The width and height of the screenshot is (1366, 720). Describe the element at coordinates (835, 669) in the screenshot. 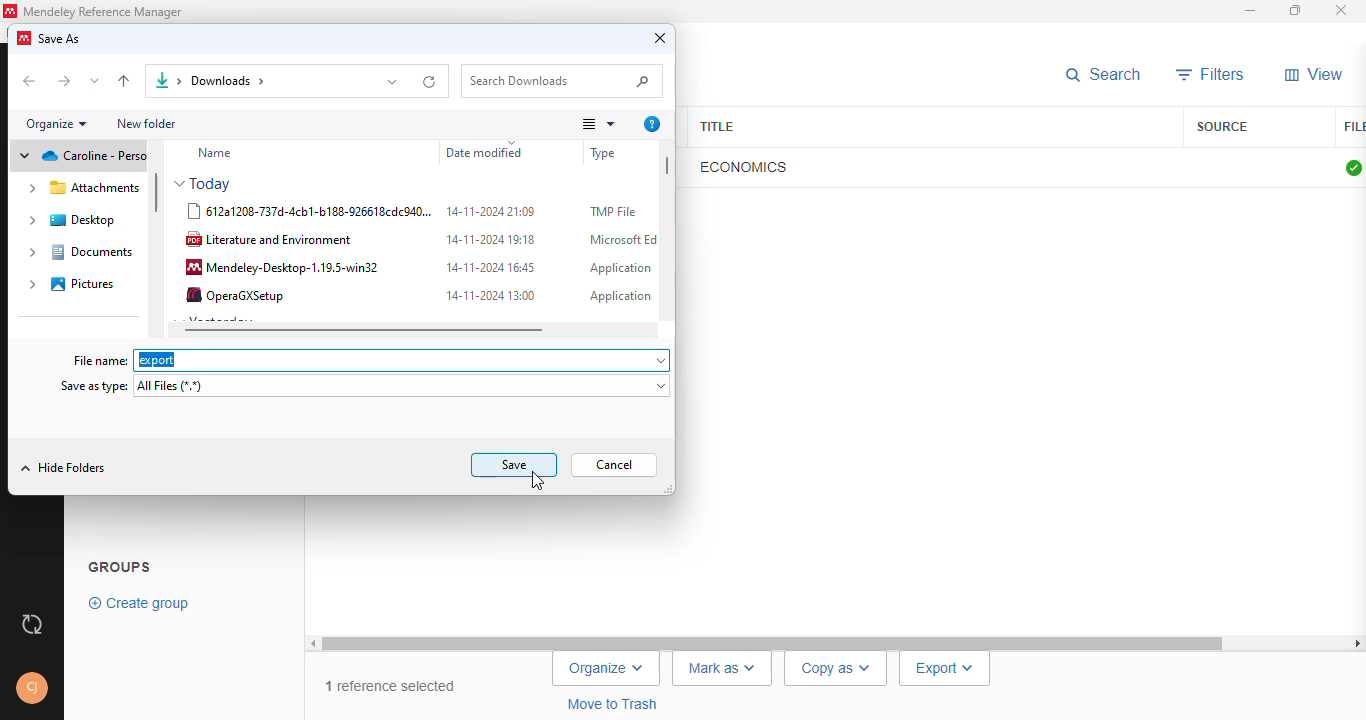

I see `copy as` at that location.